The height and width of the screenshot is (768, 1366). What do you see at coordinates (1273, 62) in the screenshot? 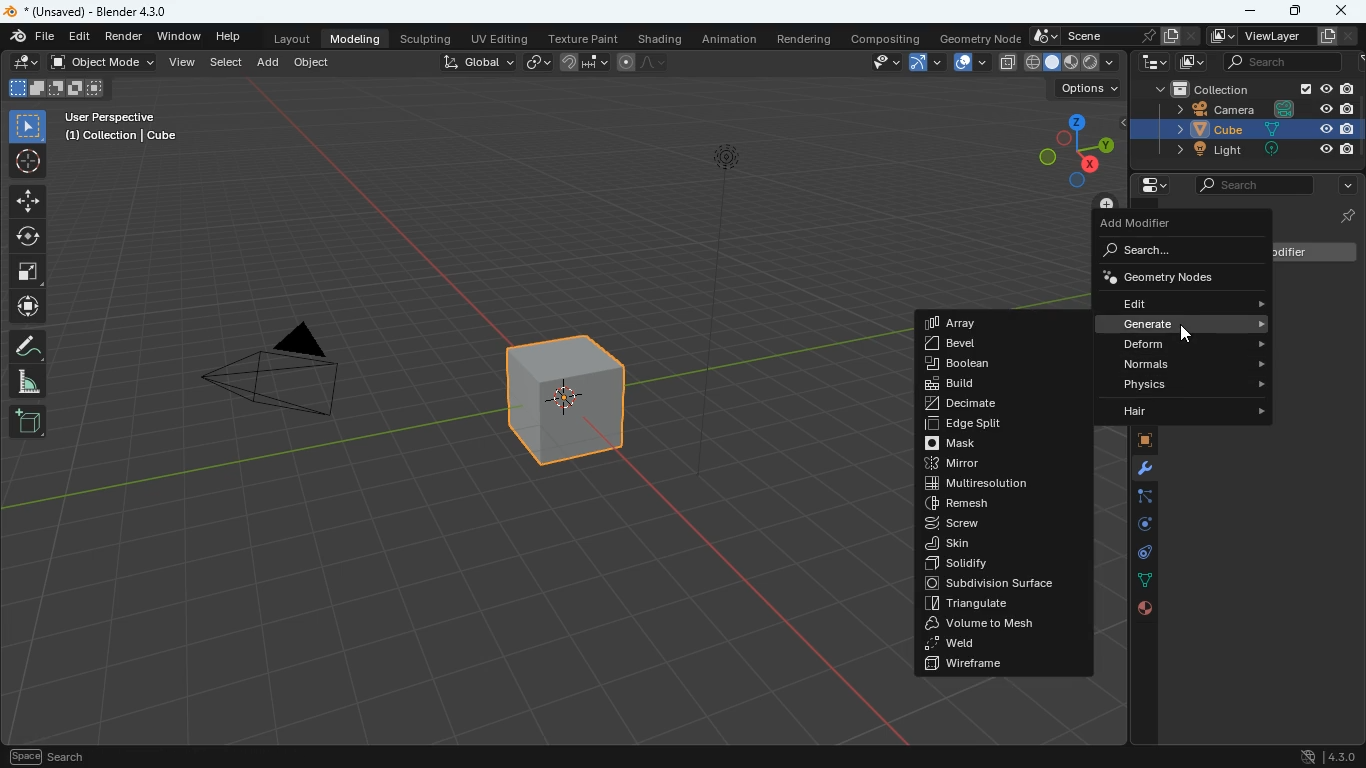
I see `search` at bounding box center [1273, 62].